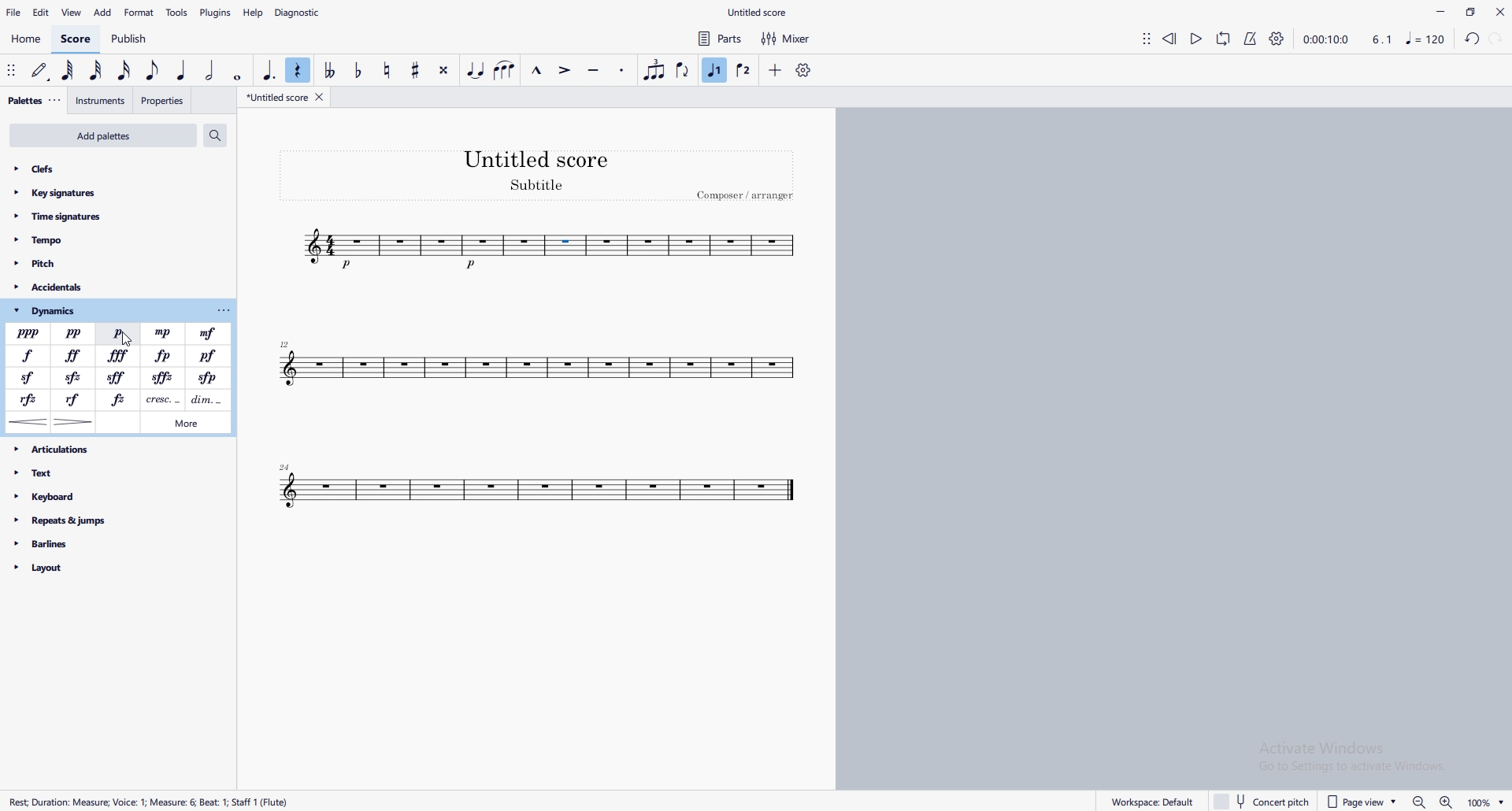  Describe the element at coordinates (102, 239) in the screenshot. I see `tempo` at that location.